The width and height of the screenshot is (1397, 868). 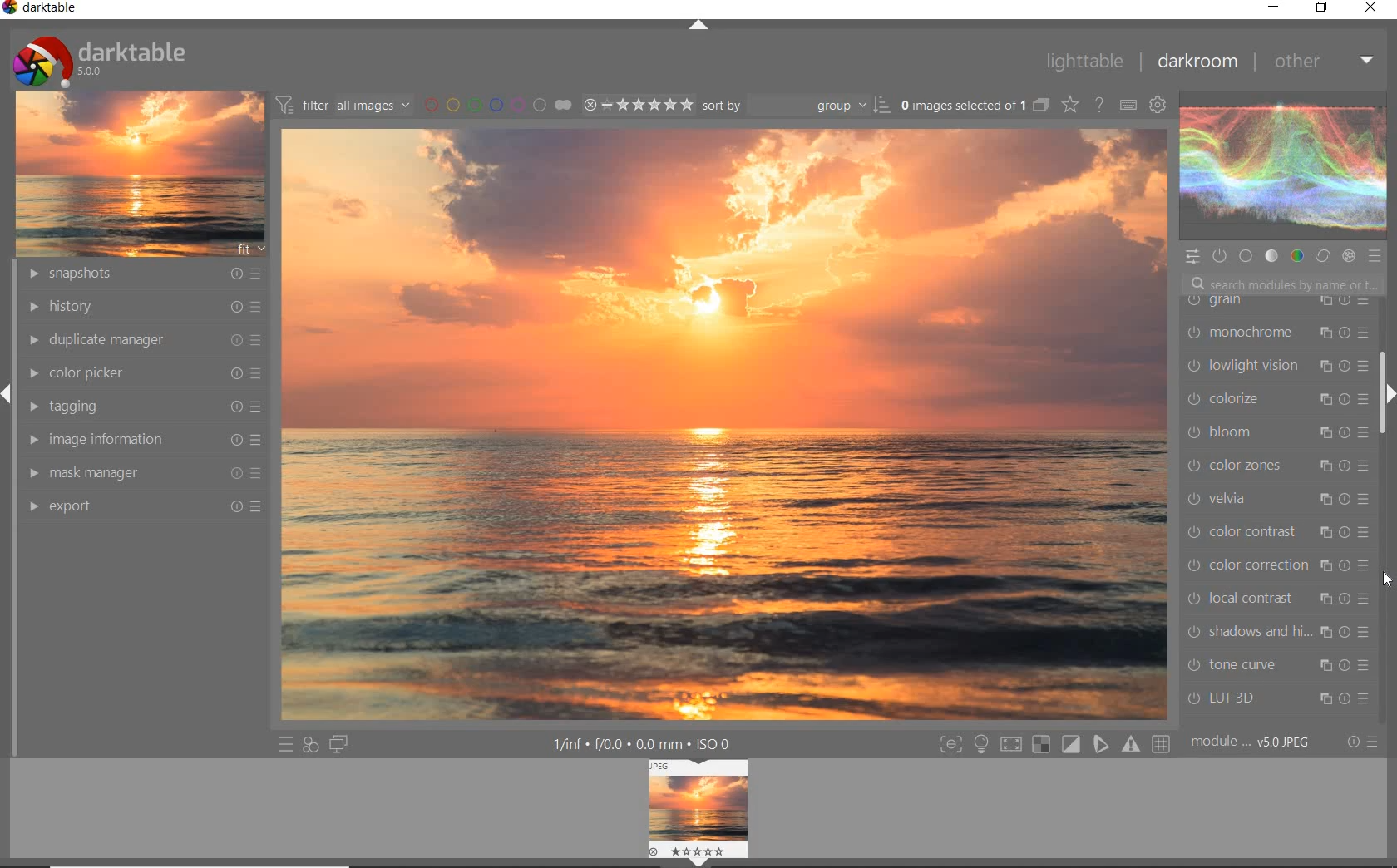 I want to click on IMAGE, so click(x=140, y=172).